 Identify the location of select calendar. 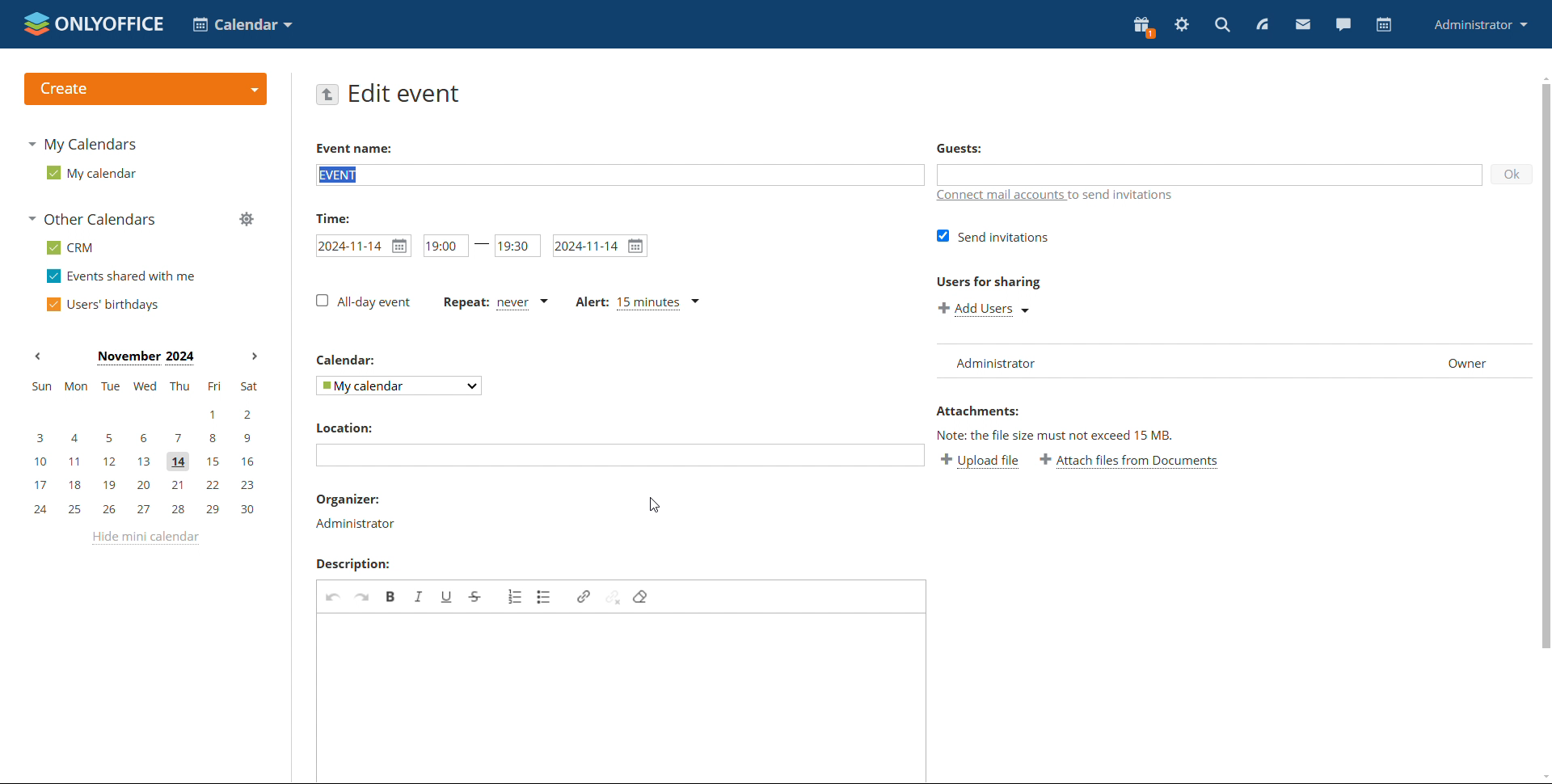
(400, 386).